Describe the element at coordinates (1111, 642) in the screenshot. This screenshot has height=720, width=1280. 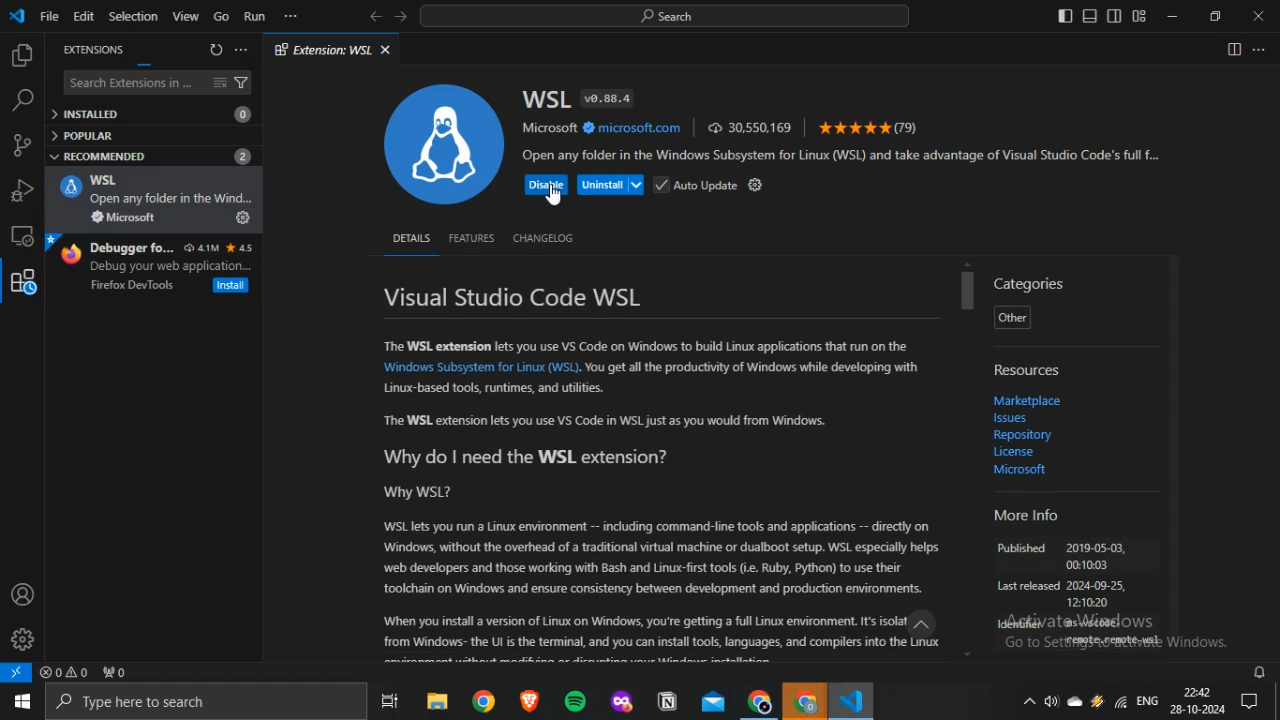
I see `remote, remote -wsl` at that location.